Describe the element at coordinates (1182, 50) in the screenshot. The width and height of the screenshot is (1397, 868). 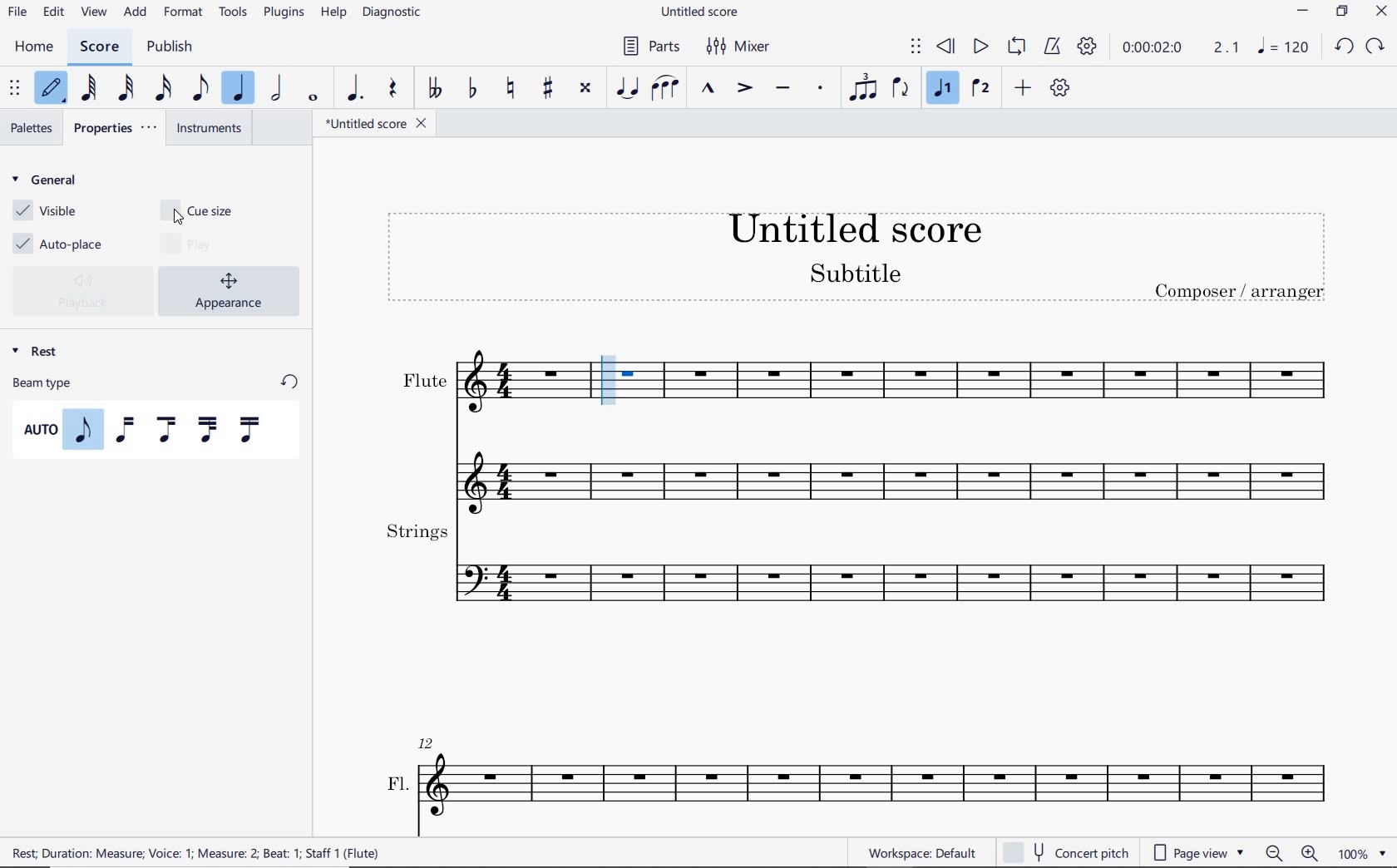
I see `PLAY TIME` at that location.